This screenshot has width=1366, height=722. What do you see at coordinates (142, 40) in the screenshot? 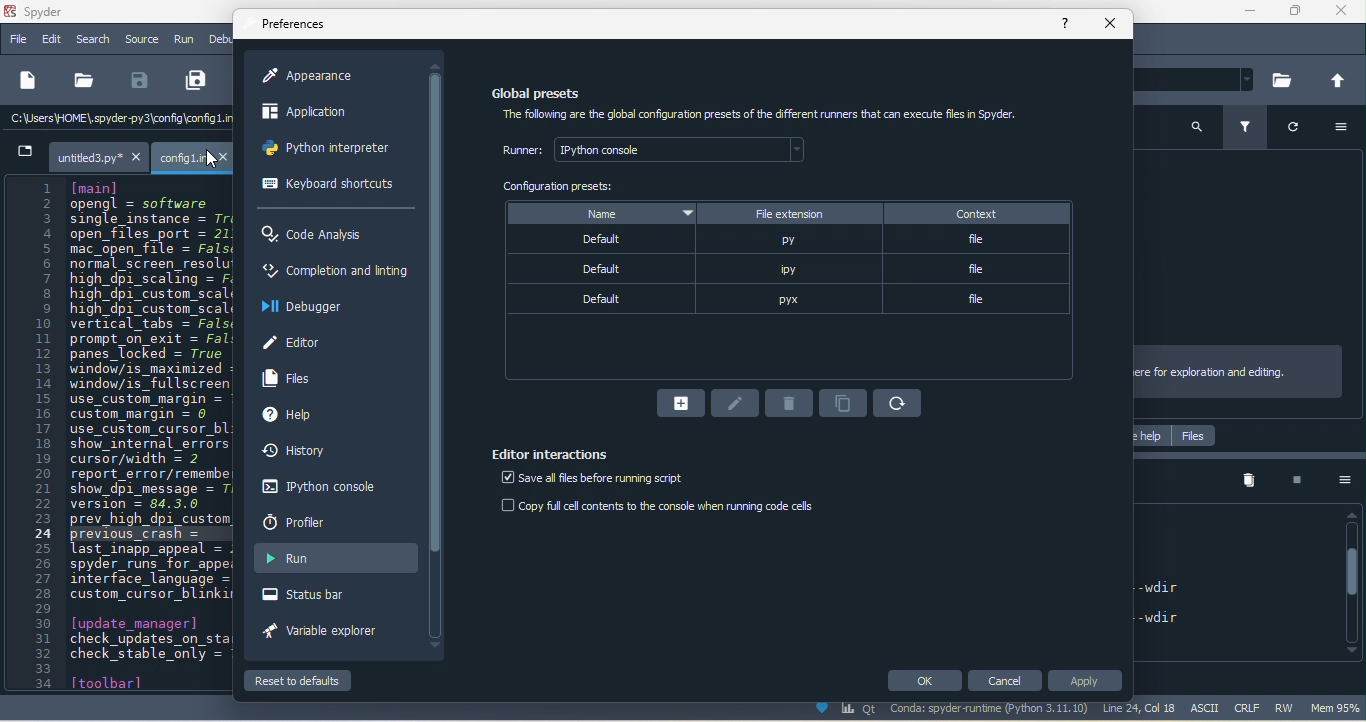
I see `source` at bounding box center [142, 40].